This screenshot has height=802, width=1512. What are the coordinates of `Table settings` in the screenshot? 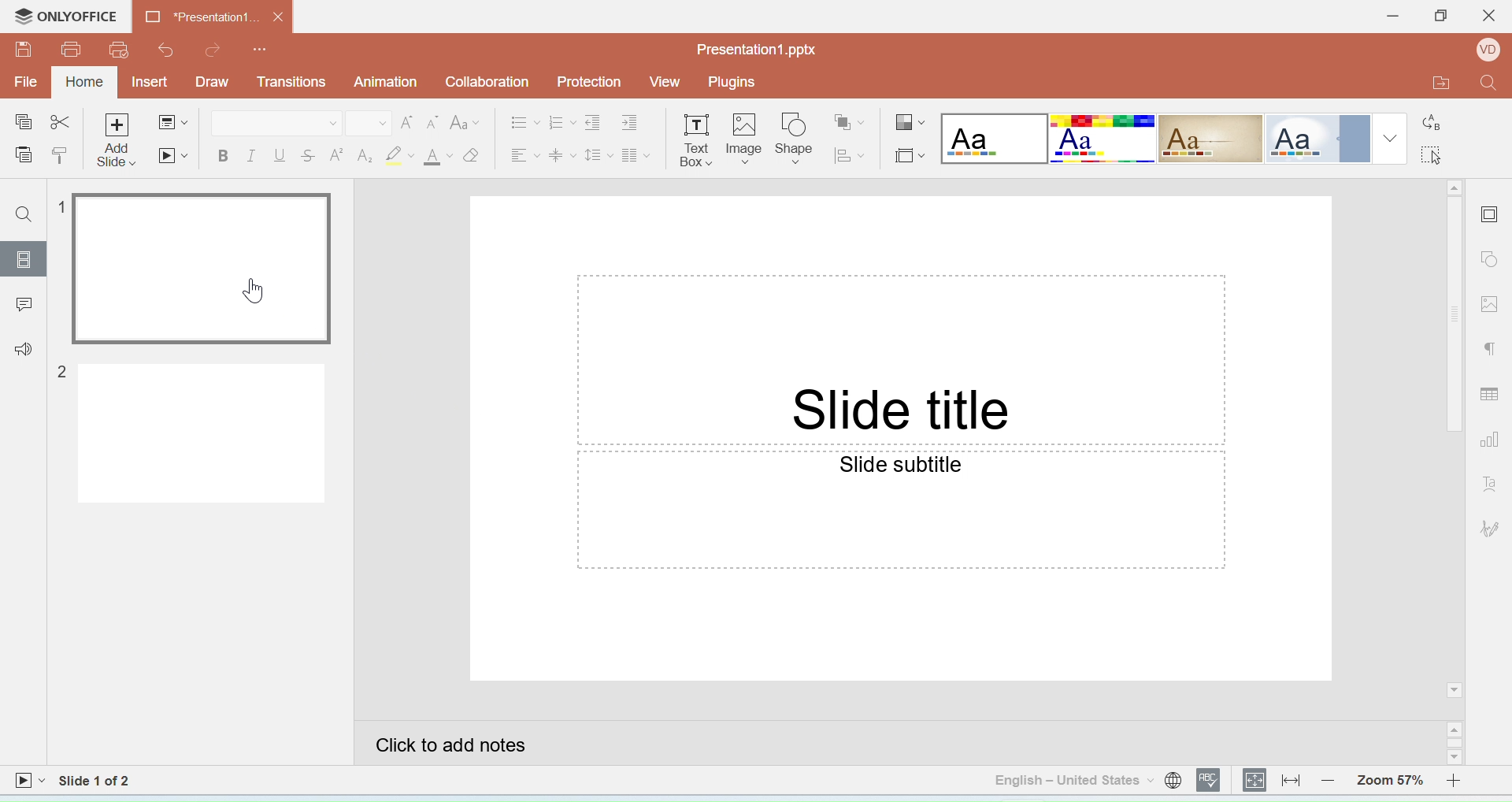 It's located at (1492, 391).